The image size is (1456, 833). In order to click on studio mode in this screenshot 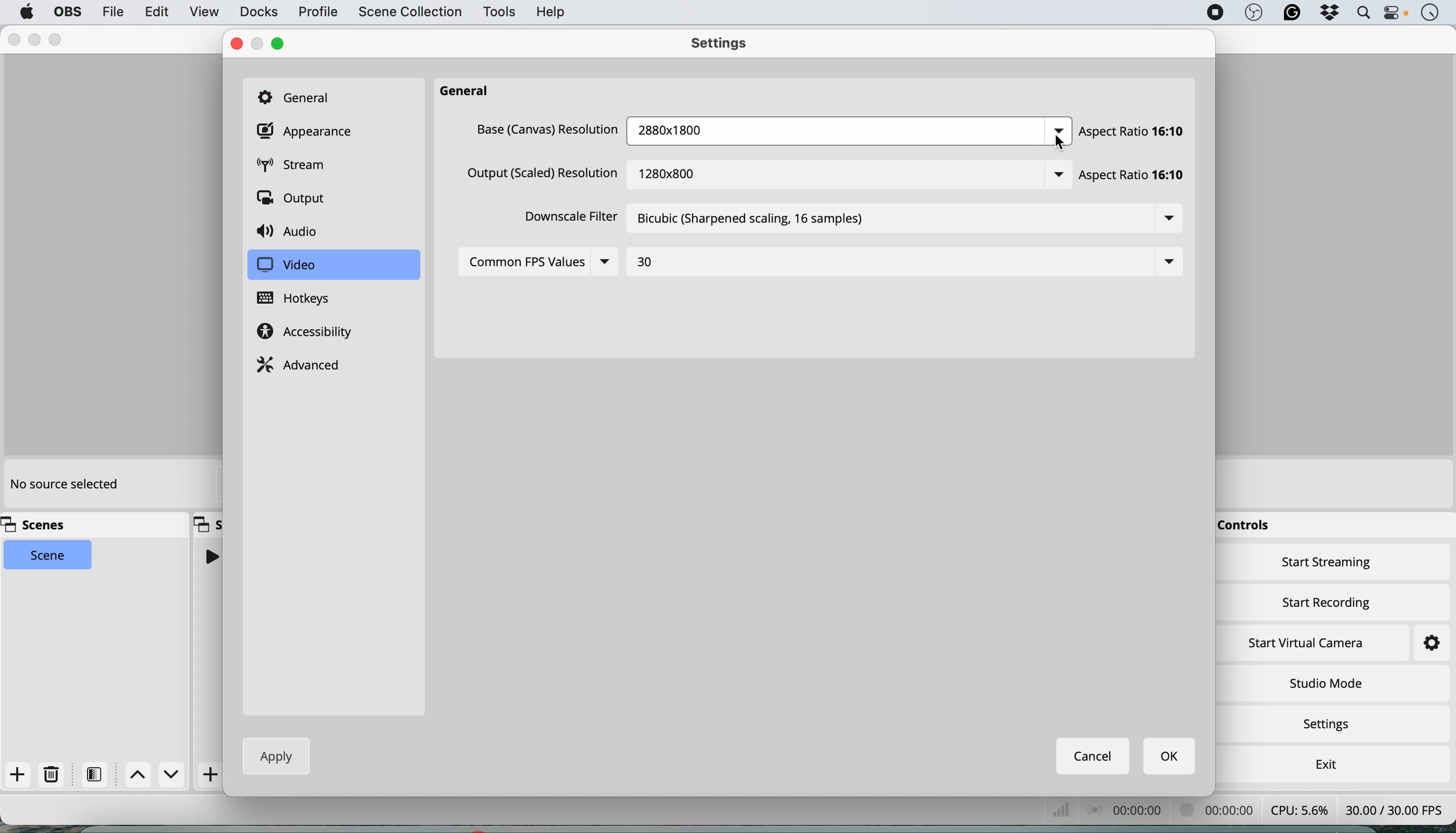, I will do `click(1325, 683)`.